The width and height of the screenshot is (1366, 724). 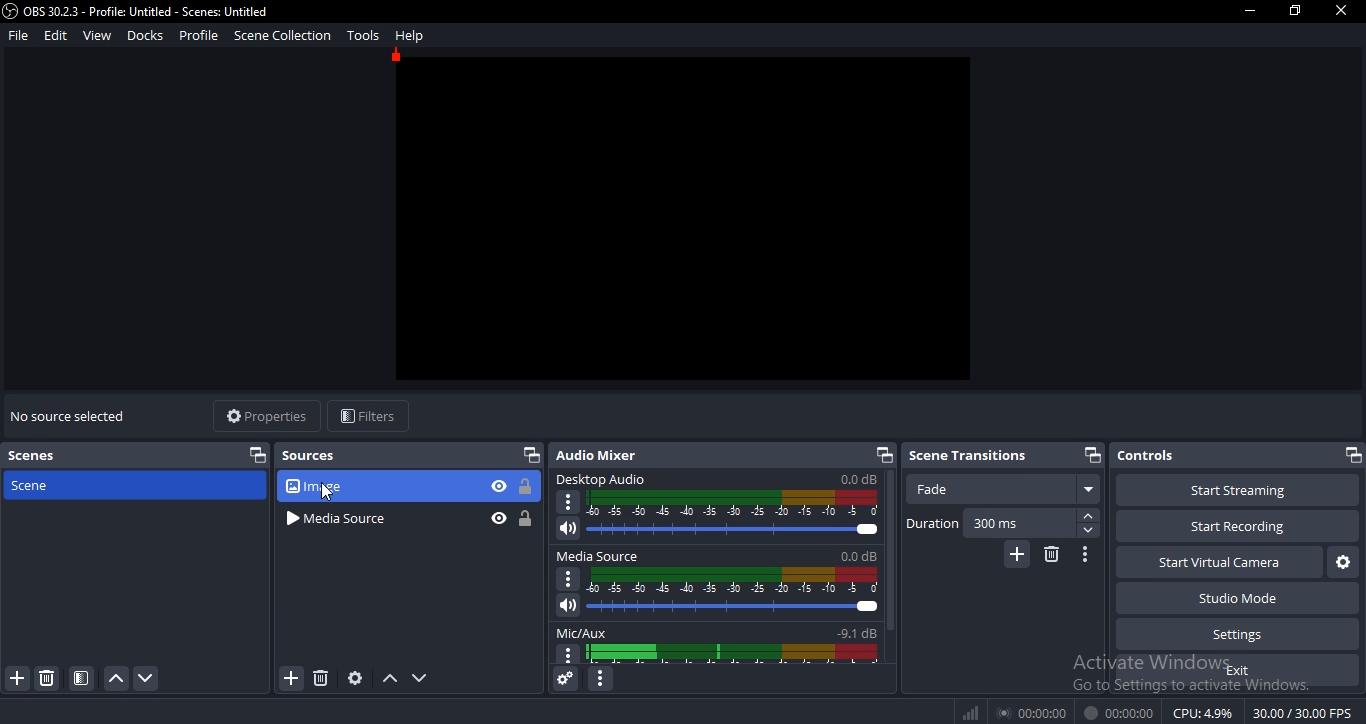 What do you see at coordinates (883, 455) in the screenshot?
I see `restore` at bounding box center [883, 455].